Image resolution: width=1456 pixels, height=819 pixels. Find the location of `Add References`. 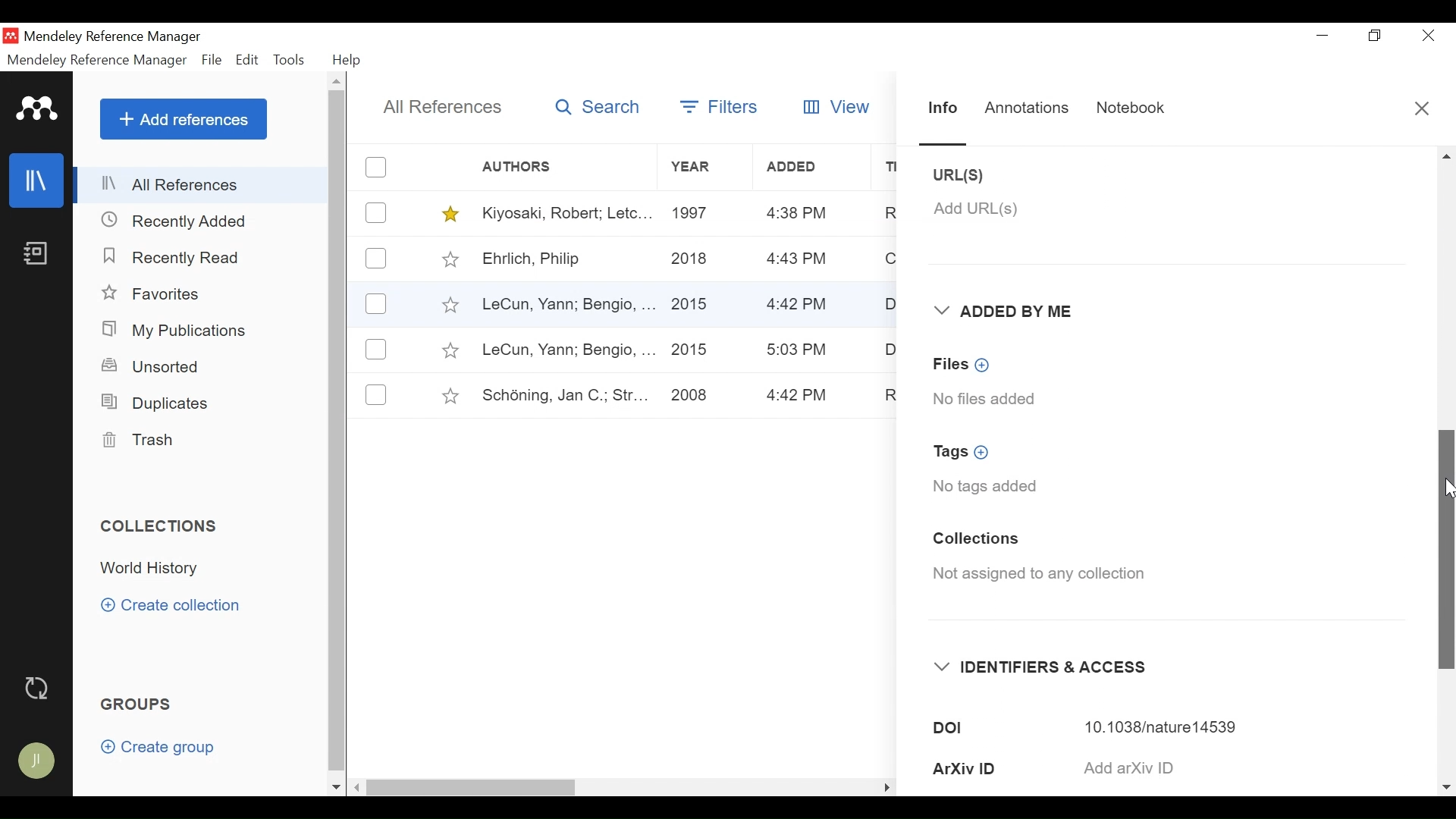

Add References is located at coordinates (184, 119).